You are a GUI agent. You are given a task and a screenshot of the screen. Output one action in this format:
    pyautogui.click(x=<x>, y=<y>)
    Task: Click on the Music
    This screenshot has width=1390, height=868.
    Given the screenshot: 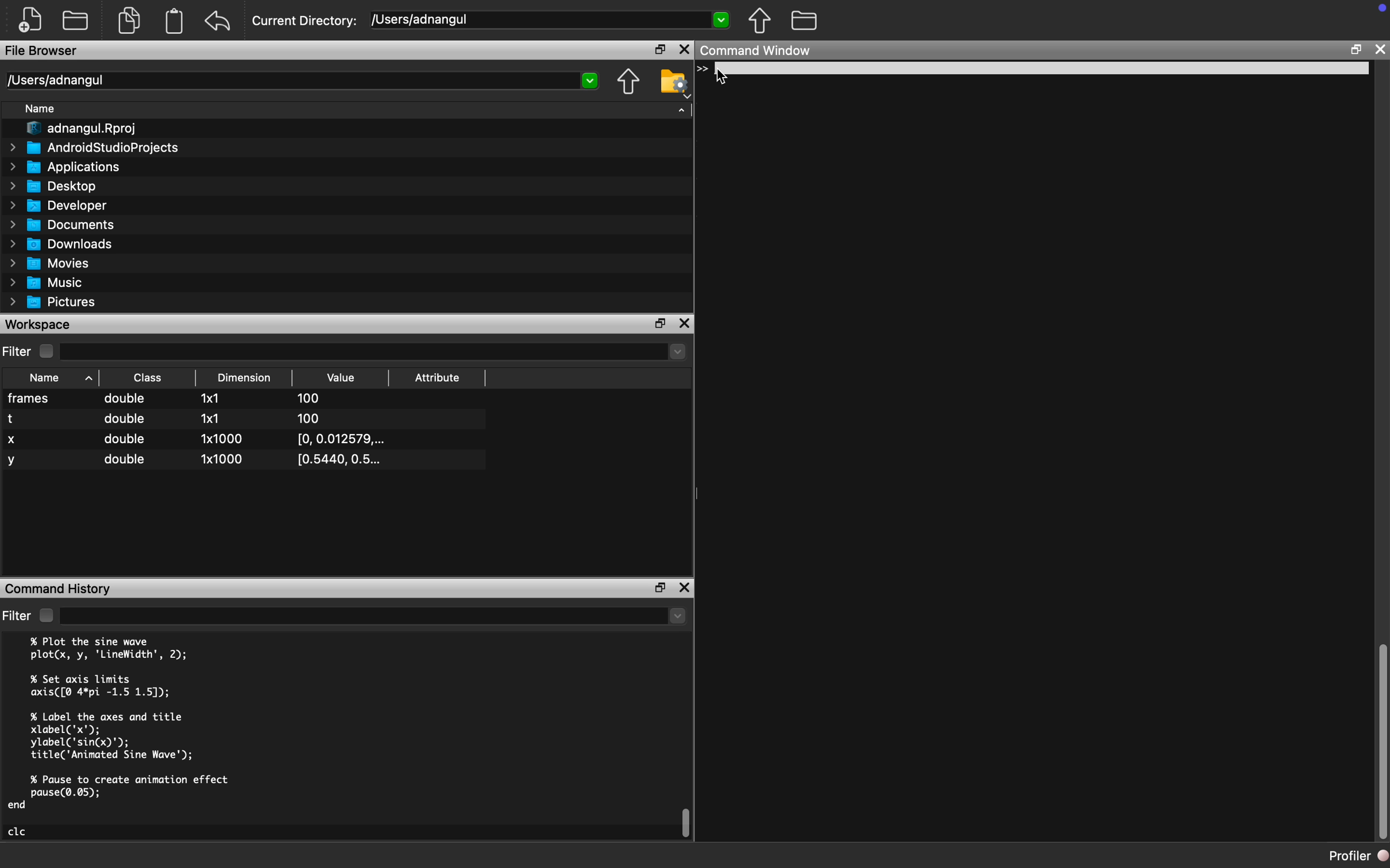 What is the action you would take?
    pyautogui.click(x=45, y=282)
    